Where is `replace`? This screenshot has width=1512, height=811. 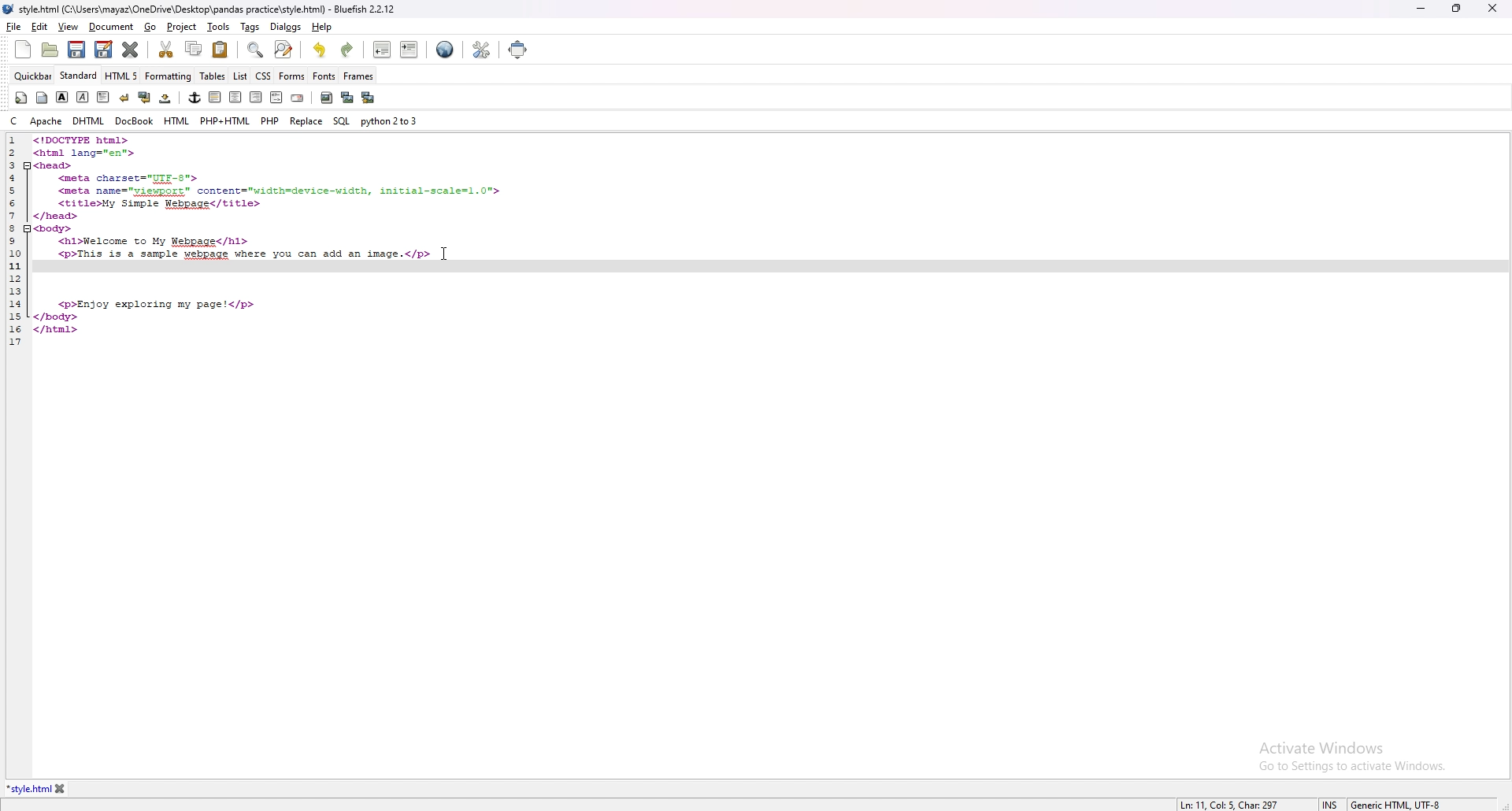
replace is located at coordinates (306, 121).